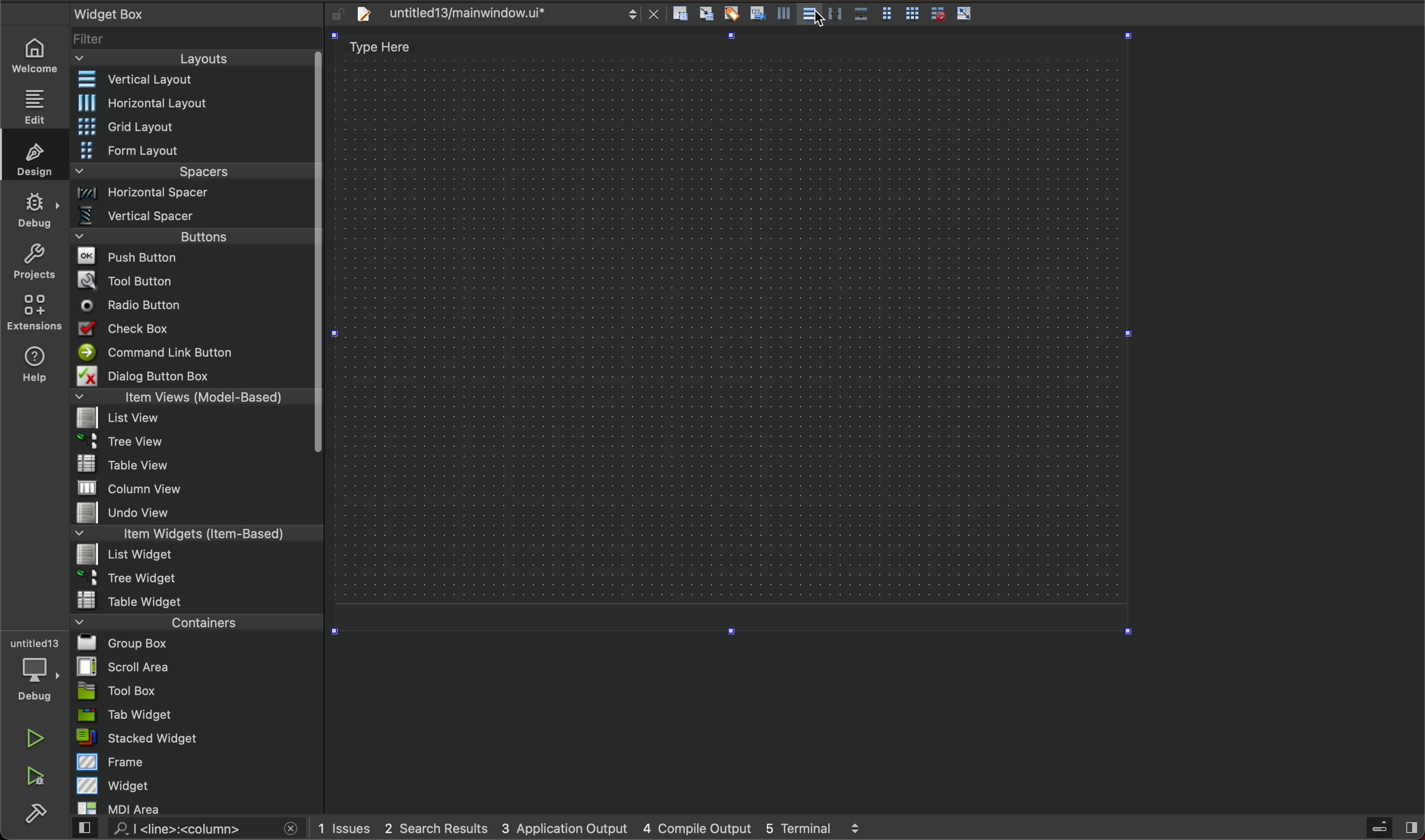  I want to click on push buttons, so click(193, 256).